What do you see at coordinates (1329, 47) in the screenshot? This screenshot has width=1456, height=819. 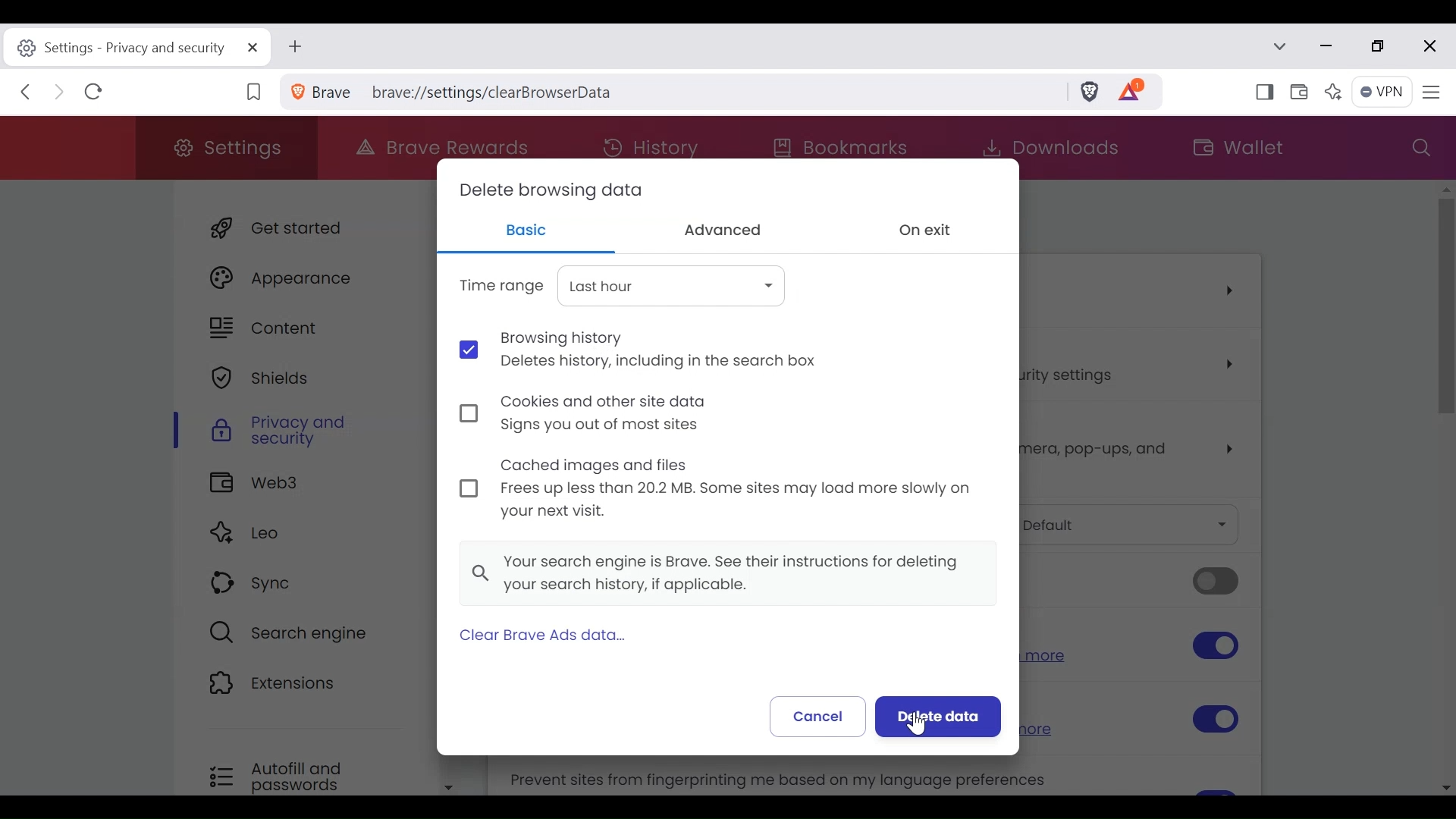 I see `Minimize` at bounding box center [1329, 47].